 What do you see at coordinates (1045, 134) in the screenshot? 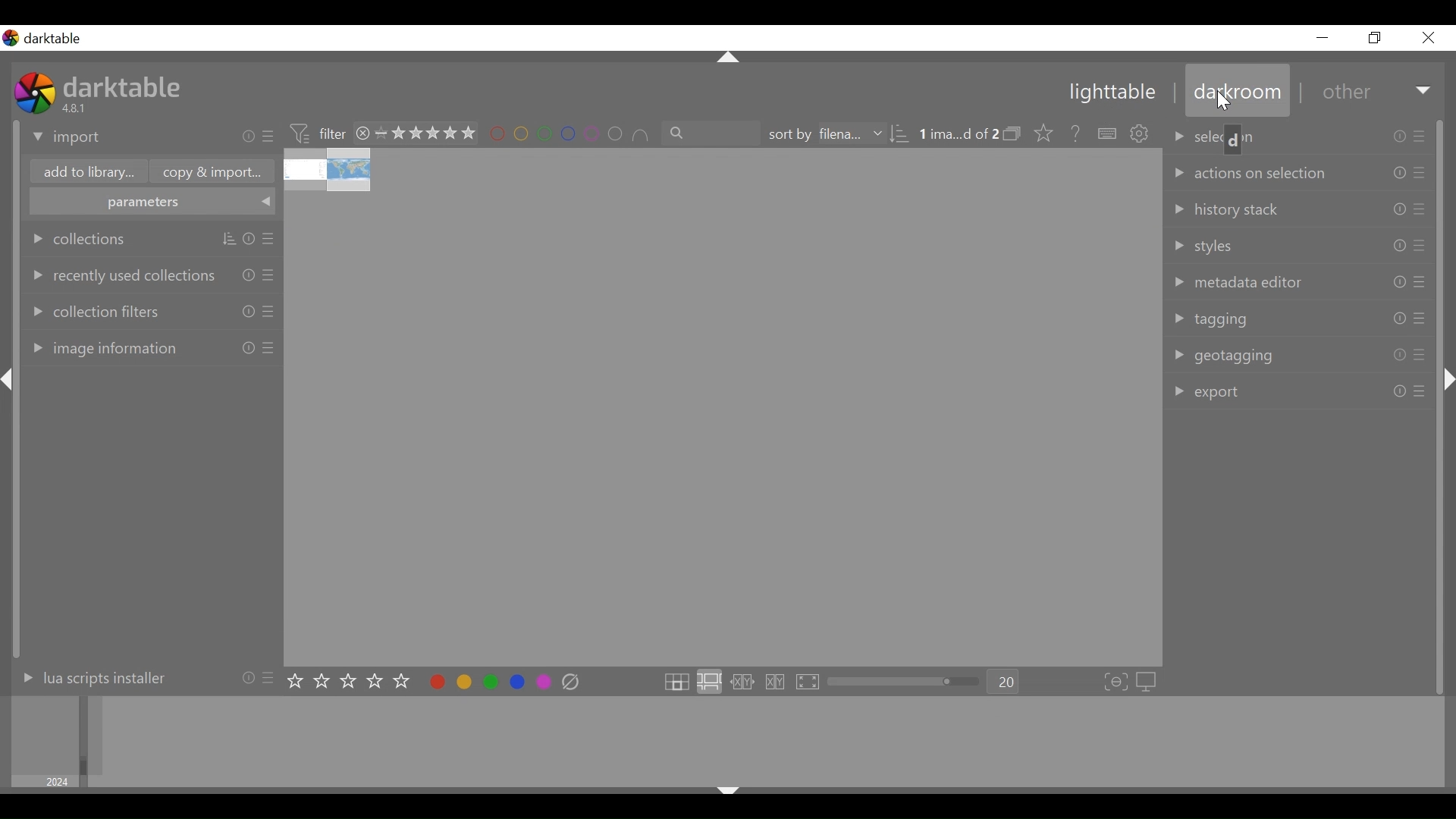
I see `lick to change the type of overlays shown on thumbnails` at bounding box center [1045, 134].